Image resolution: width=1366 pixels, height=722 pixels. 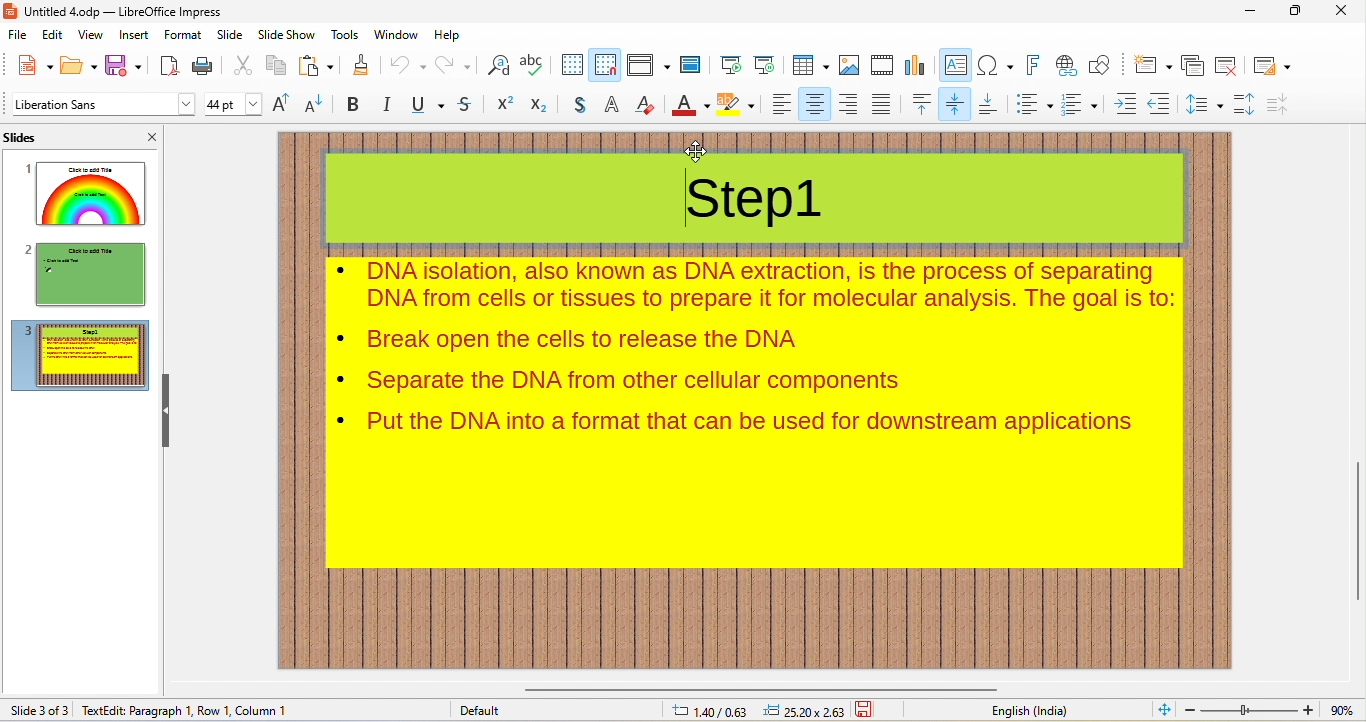 I want to click on english, so click(x=1025, y=711).